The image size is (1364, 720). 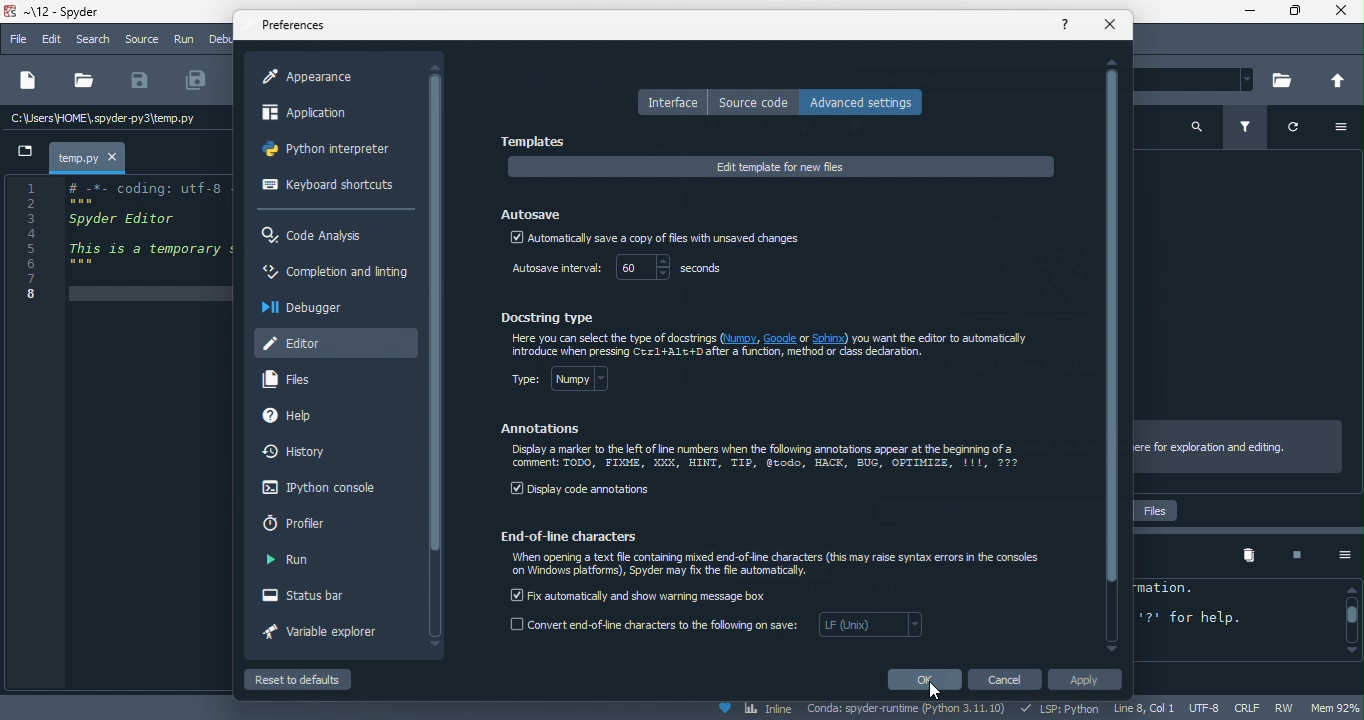 What do you see at coordinates (1090, 682) in the screenshot?
I see `apply` at bounding box center [1090, 682].